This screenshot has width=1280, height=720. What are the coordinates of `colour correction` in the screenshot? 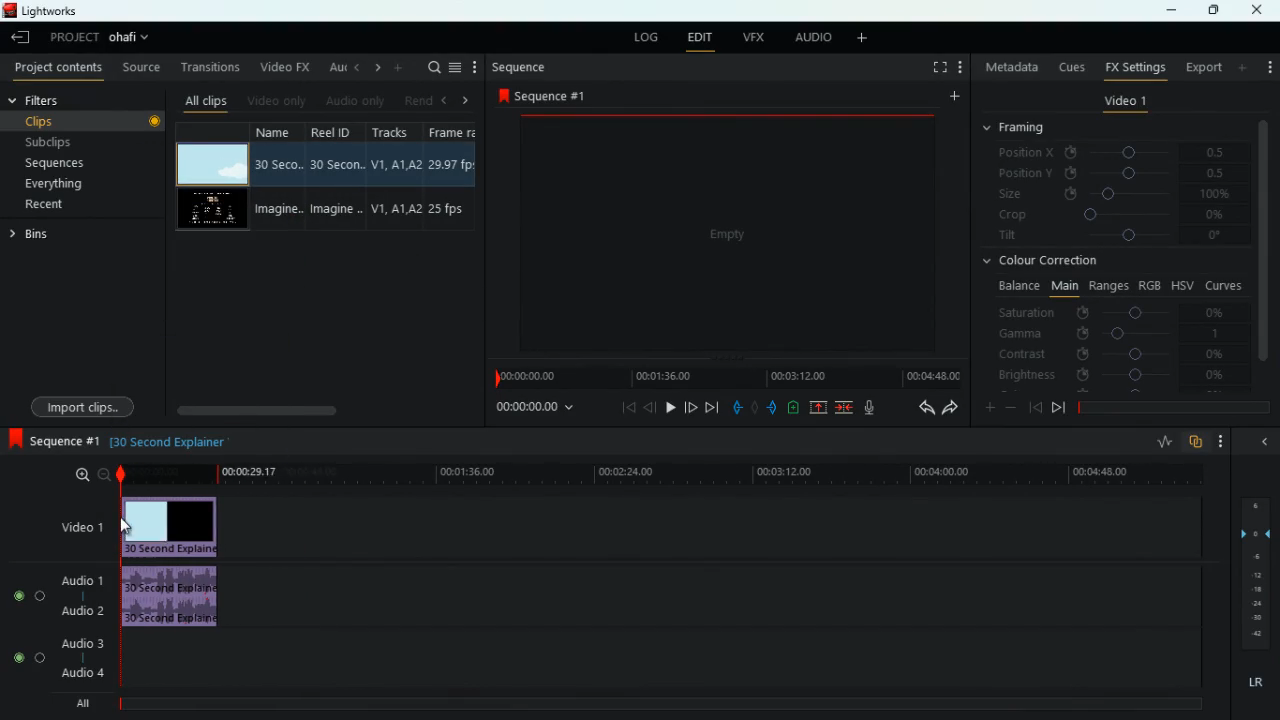 It's located at (1049, 262).